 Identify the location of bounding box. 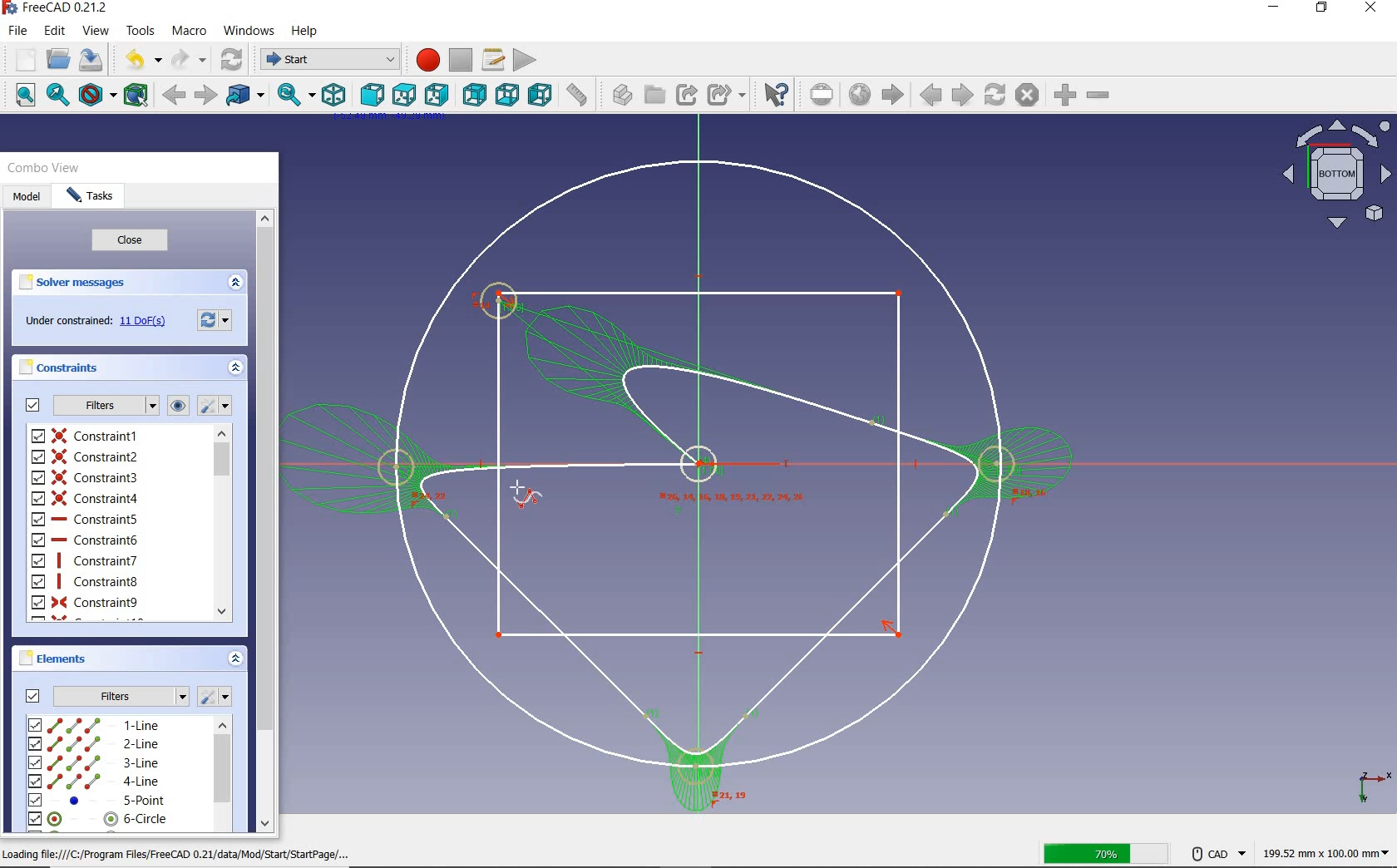
(137, 96).